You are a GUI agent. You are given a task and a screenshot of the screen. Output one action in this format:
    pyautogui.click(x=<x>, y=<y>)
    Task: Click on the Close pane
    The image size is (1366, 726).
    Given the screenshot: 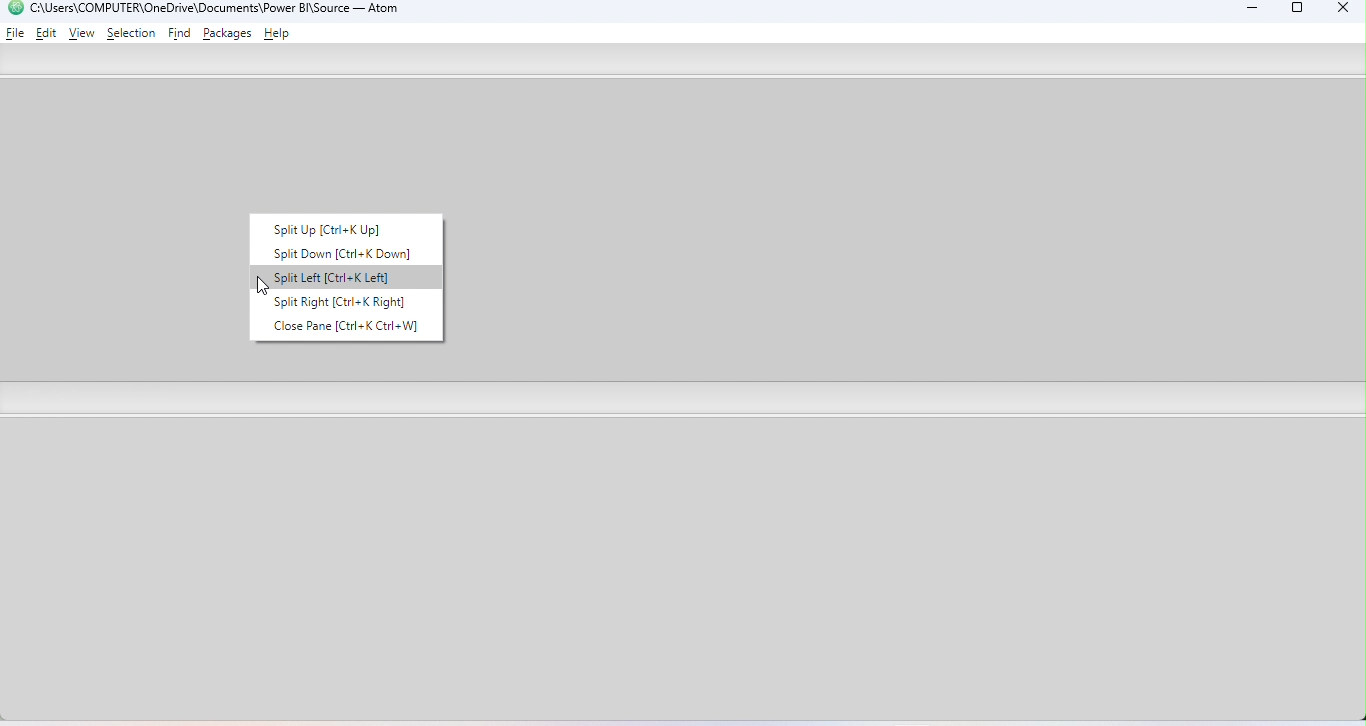 What is the action you would take?
    pyautogui.click(x=343, y=326)
    